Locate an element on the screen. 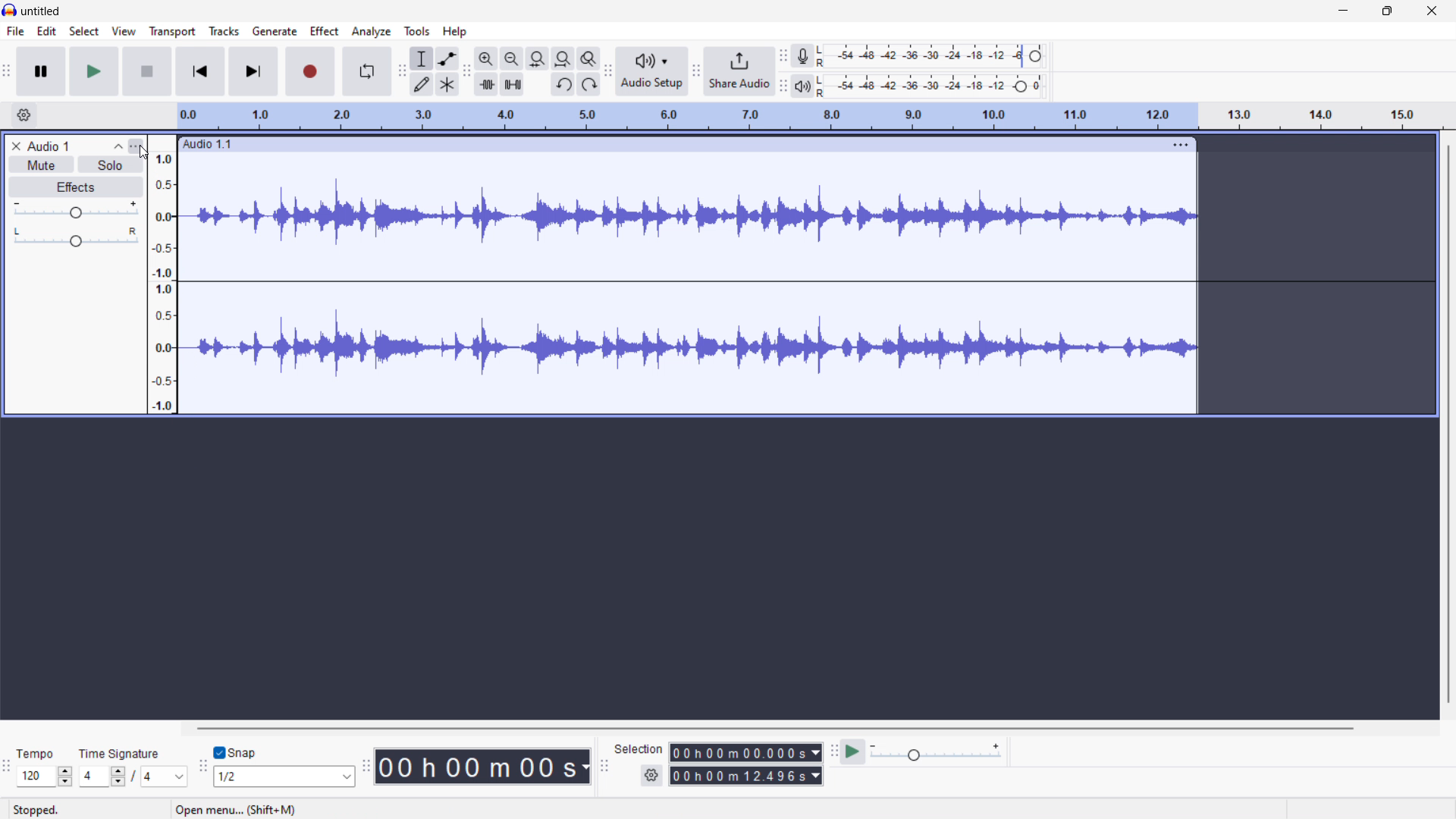 This screenshot has height=819, width=1456. envelop tool is located at coordinates (447, 58).